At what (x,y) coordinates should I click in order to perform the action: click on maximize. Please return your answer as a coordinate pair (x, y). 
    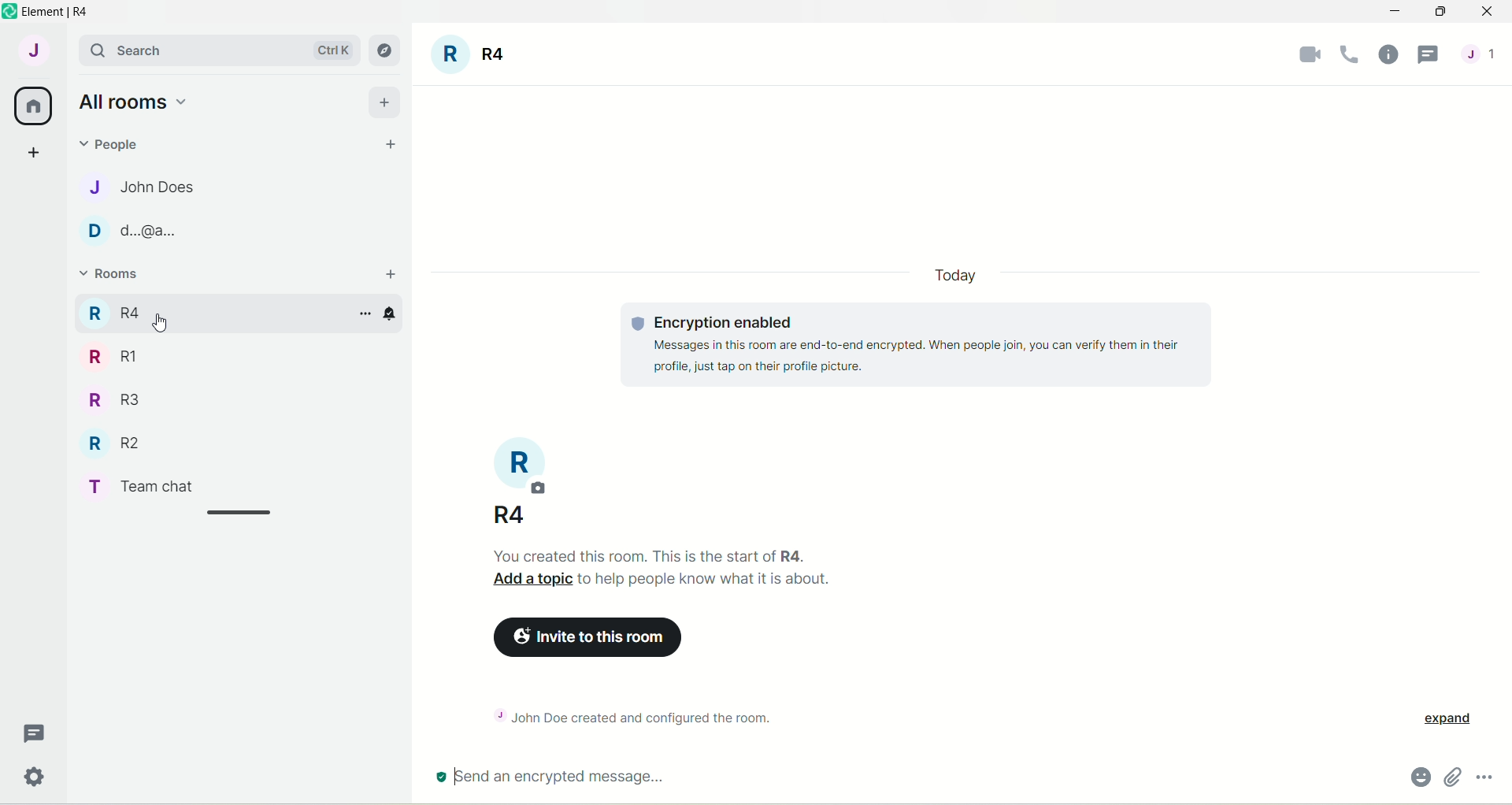
    Looking at the image, I should click on (1440, 13).